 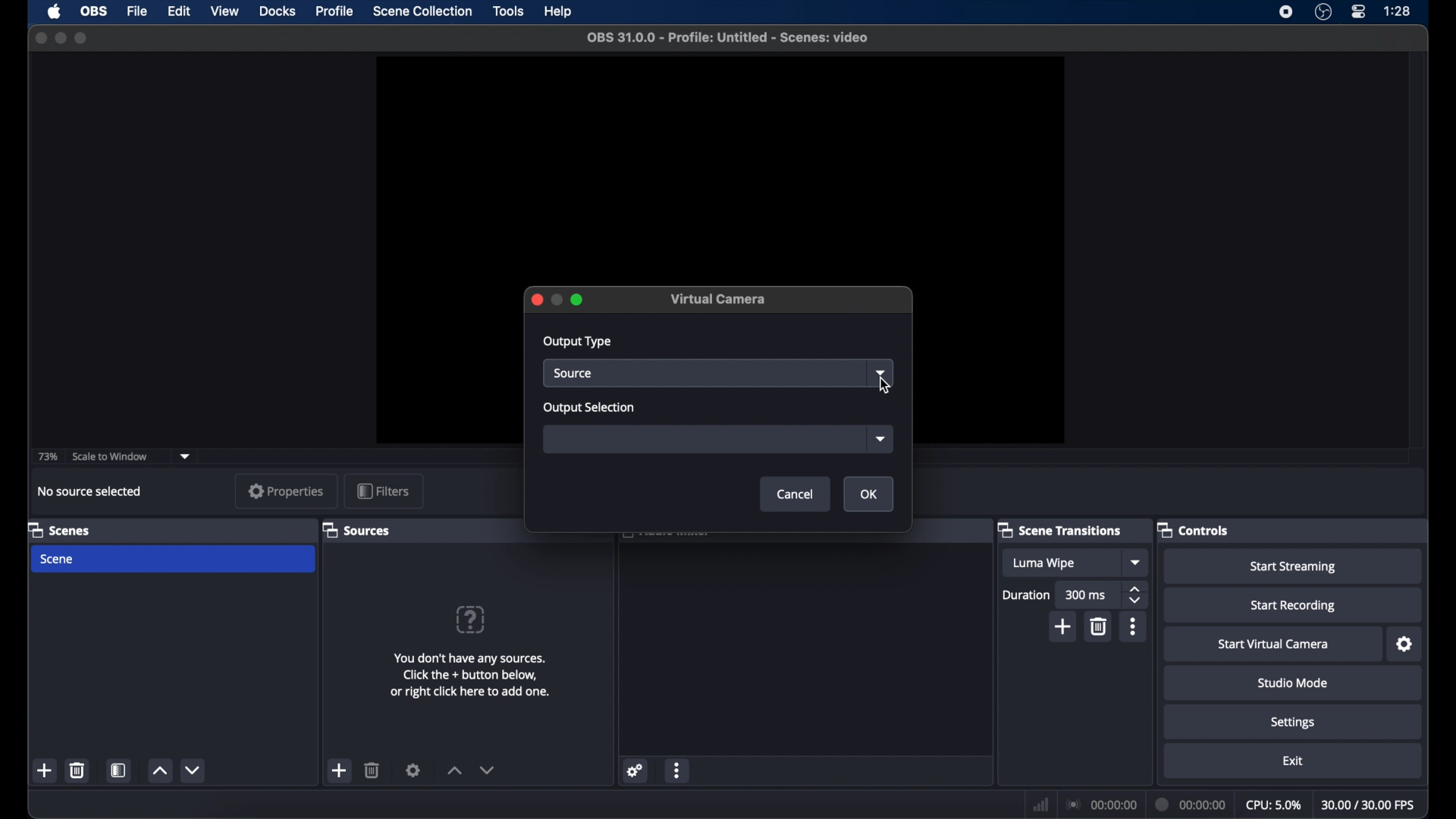 What do you see at coordinates (136, 12) in the screenshot?
I see `file` at bounding box center [136, 12].